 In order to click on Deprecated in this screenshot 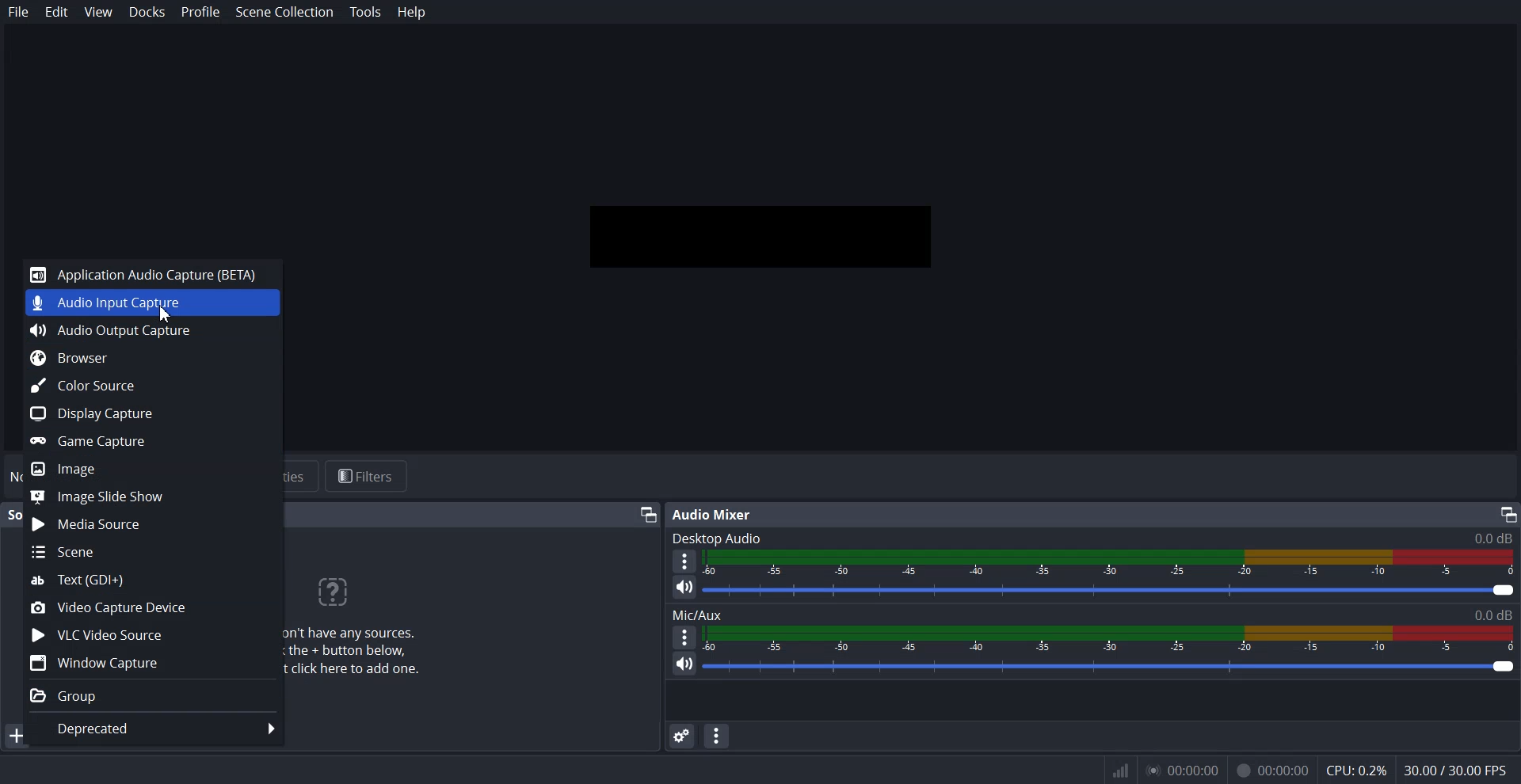, I will do `click(169, 731)`.